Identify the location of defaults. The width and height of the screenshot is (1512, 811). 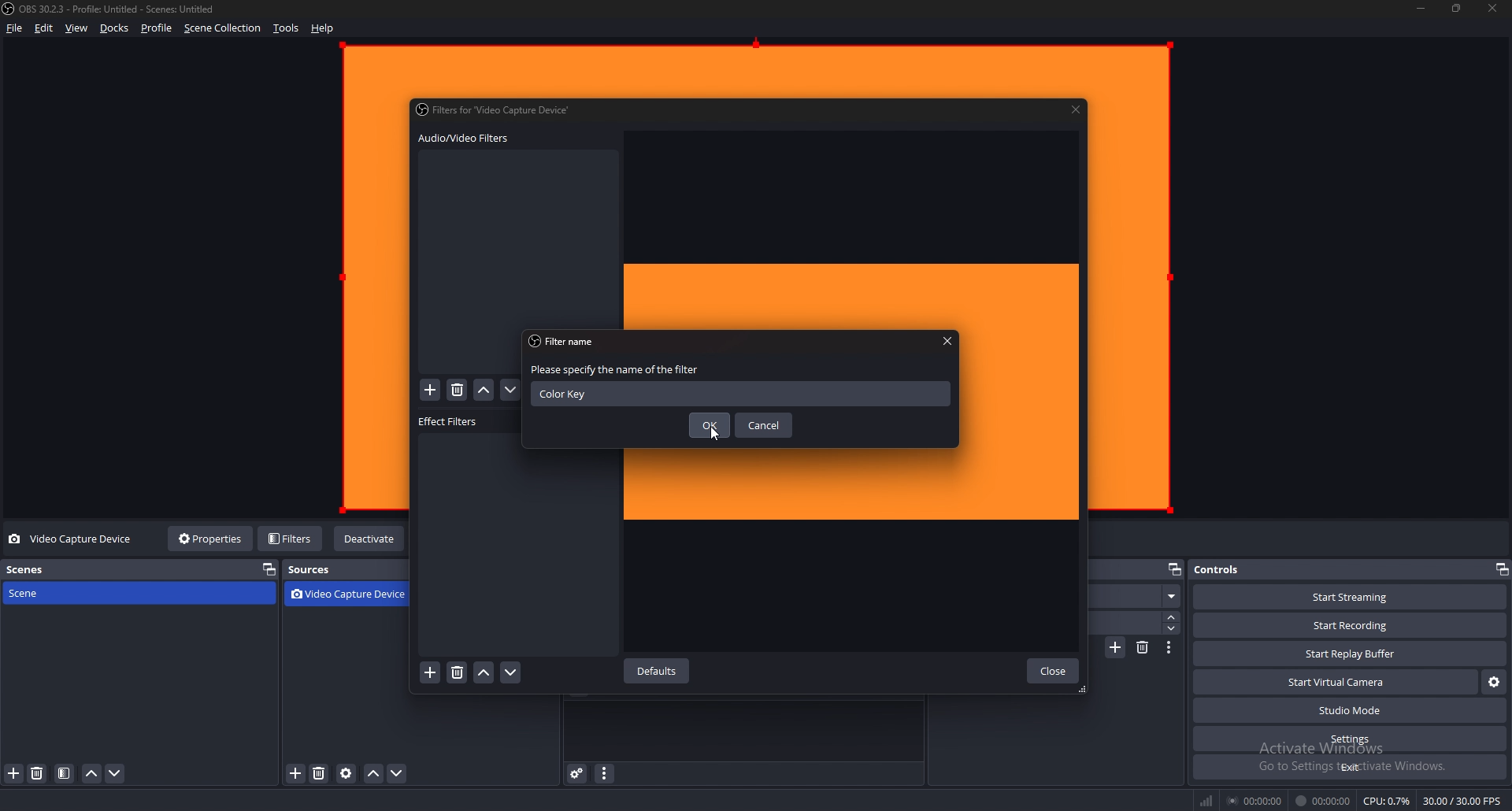
(659, 672).